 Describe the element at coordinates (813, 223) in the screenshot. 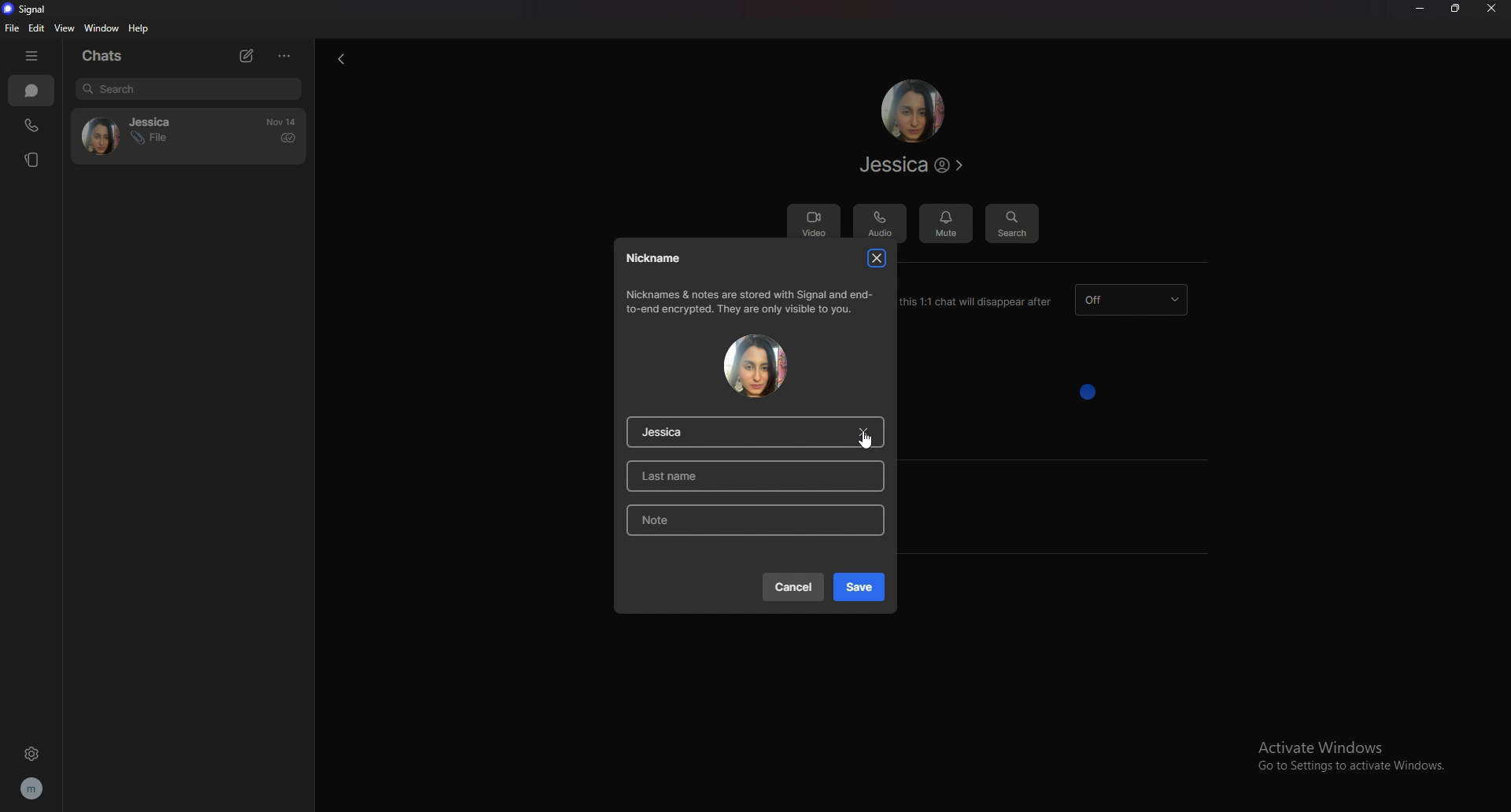

I see `video` at that location.